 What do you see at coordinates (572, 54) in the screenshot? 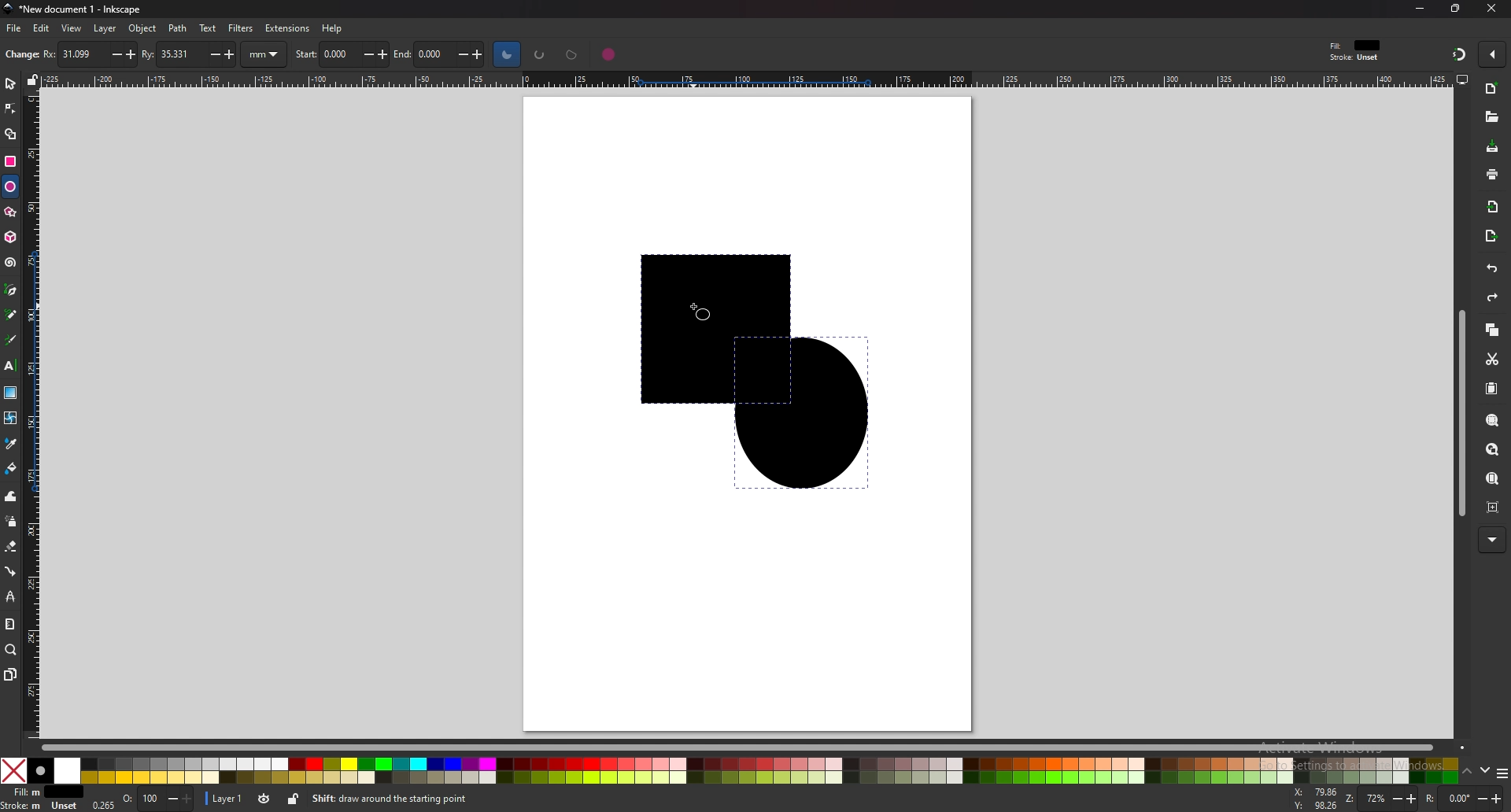
I see `chord` at bounding box center [572, 54].